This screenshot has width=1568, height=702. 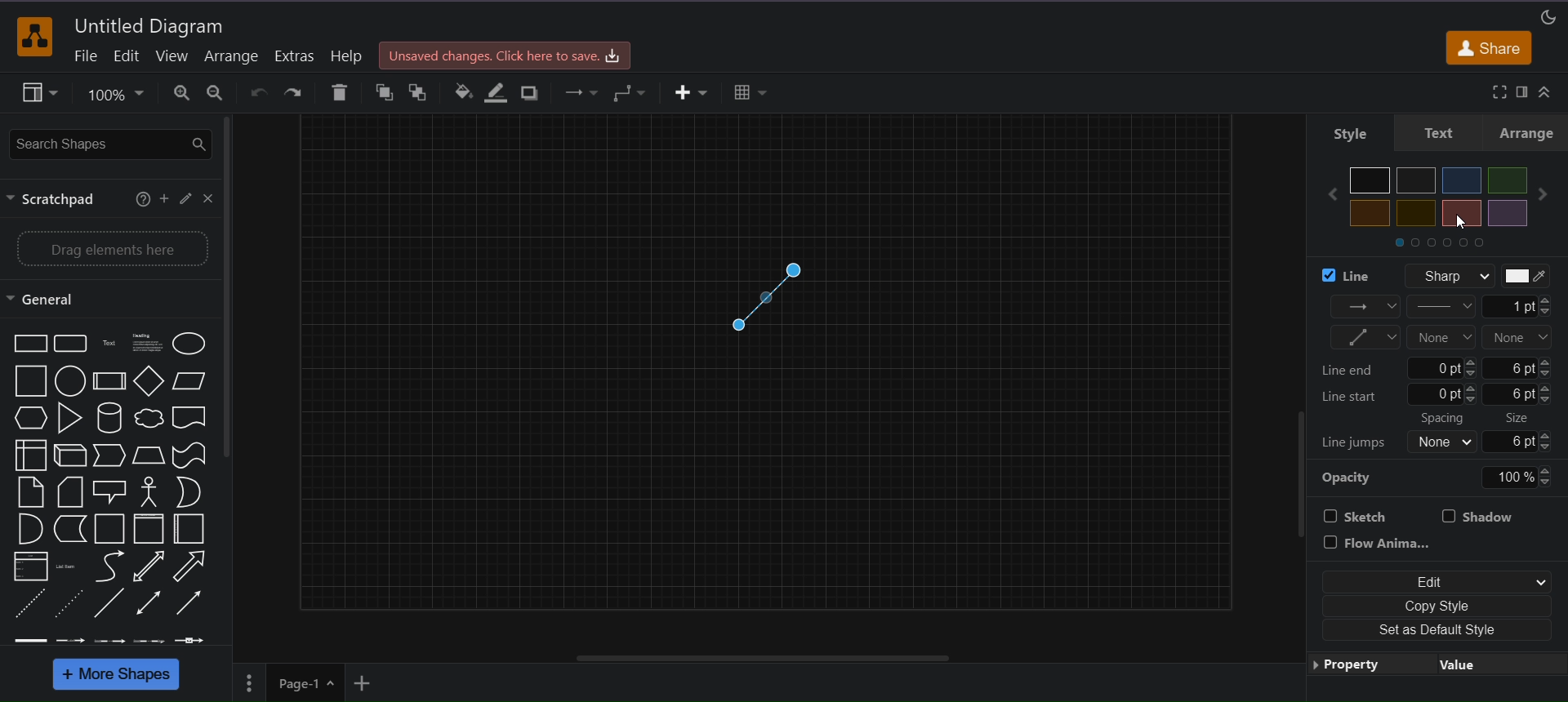 I want to click on insert page, so click(x=363, y=683).